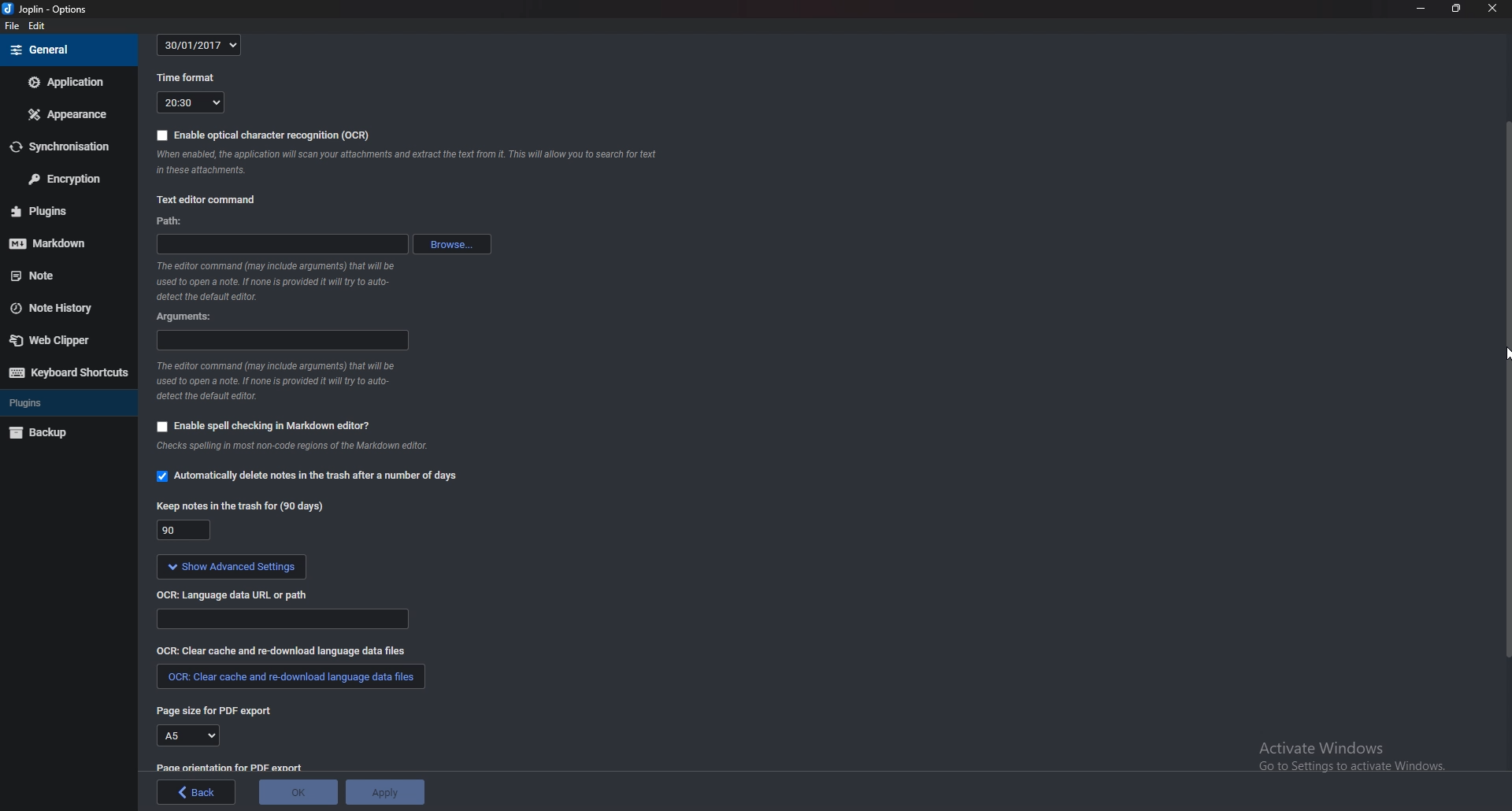  I want to click on Web clipper, so click(59, 340).